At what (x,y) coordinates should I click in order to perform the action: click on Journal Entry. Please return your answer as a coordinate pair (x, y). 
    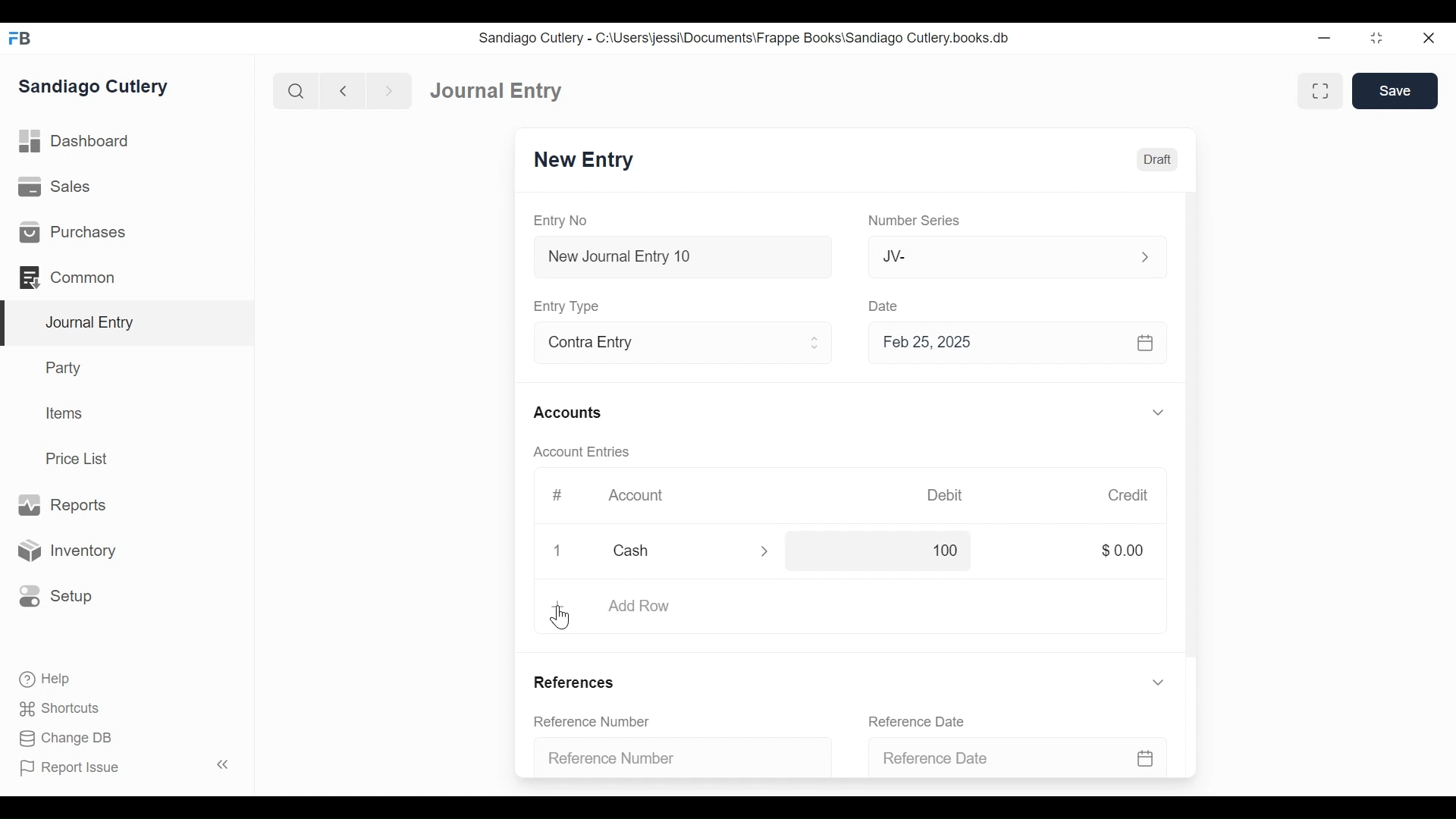
    Looking at the image, I should click on (499, 92).